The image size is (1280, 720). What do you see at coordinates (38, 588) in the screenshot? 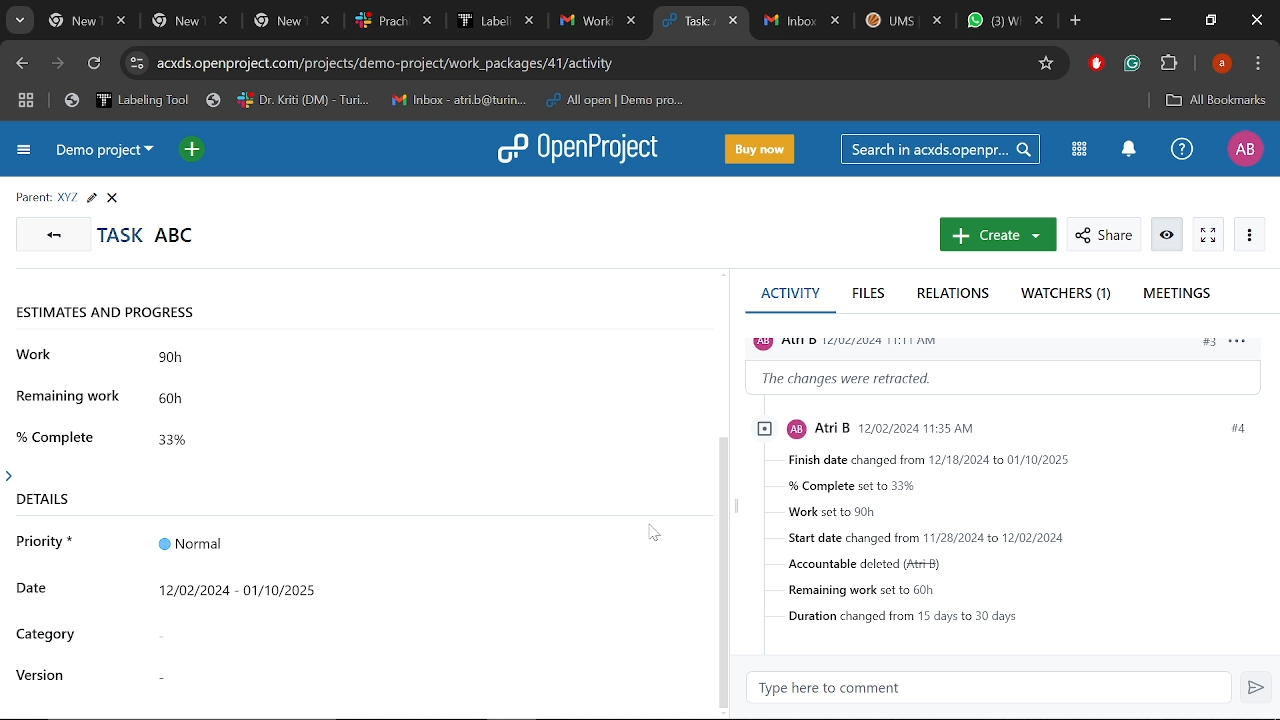
I see `date` at bounding box center [38, 588].